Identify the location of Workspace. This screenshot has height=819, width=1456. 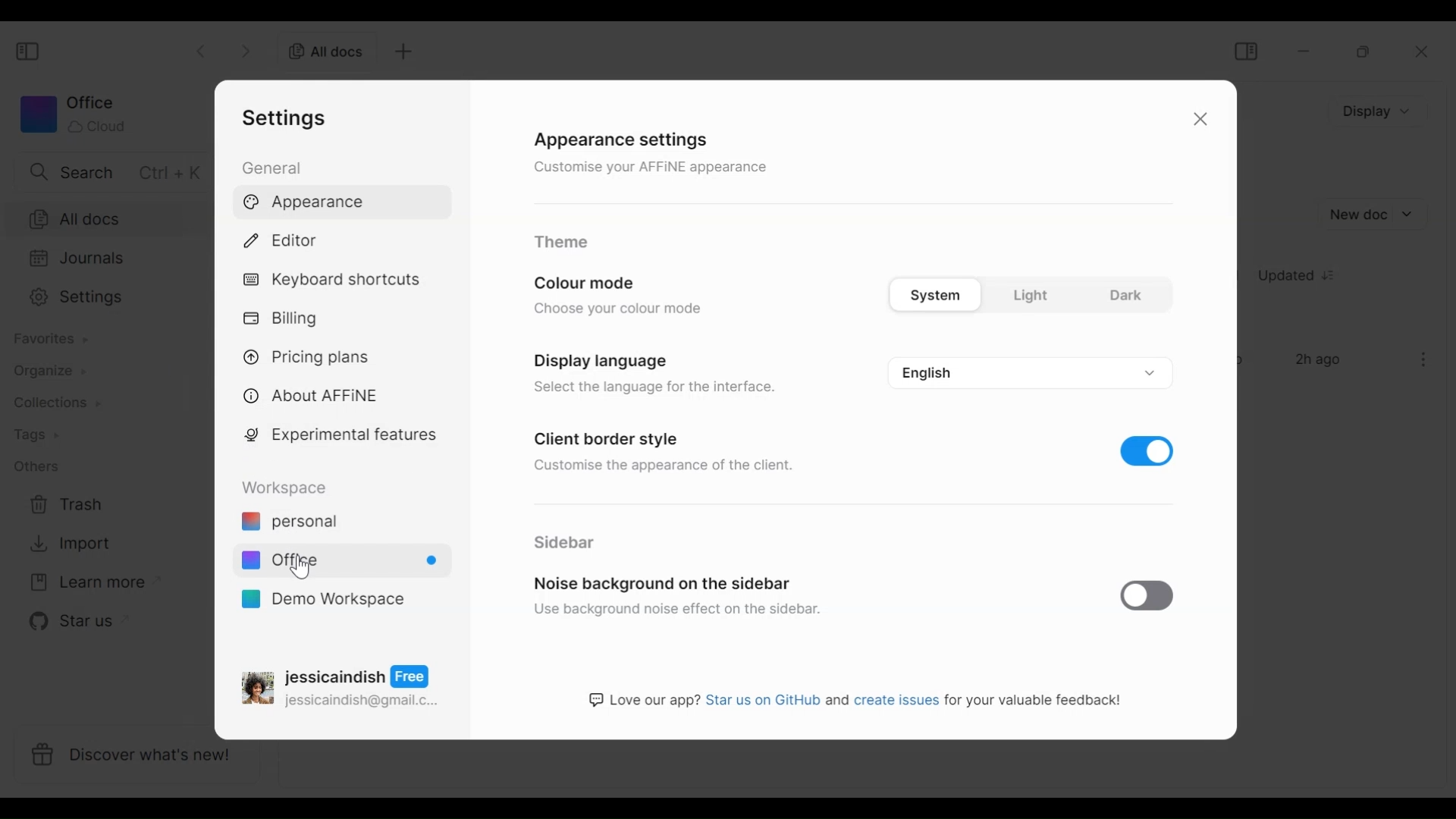
(289, 488).